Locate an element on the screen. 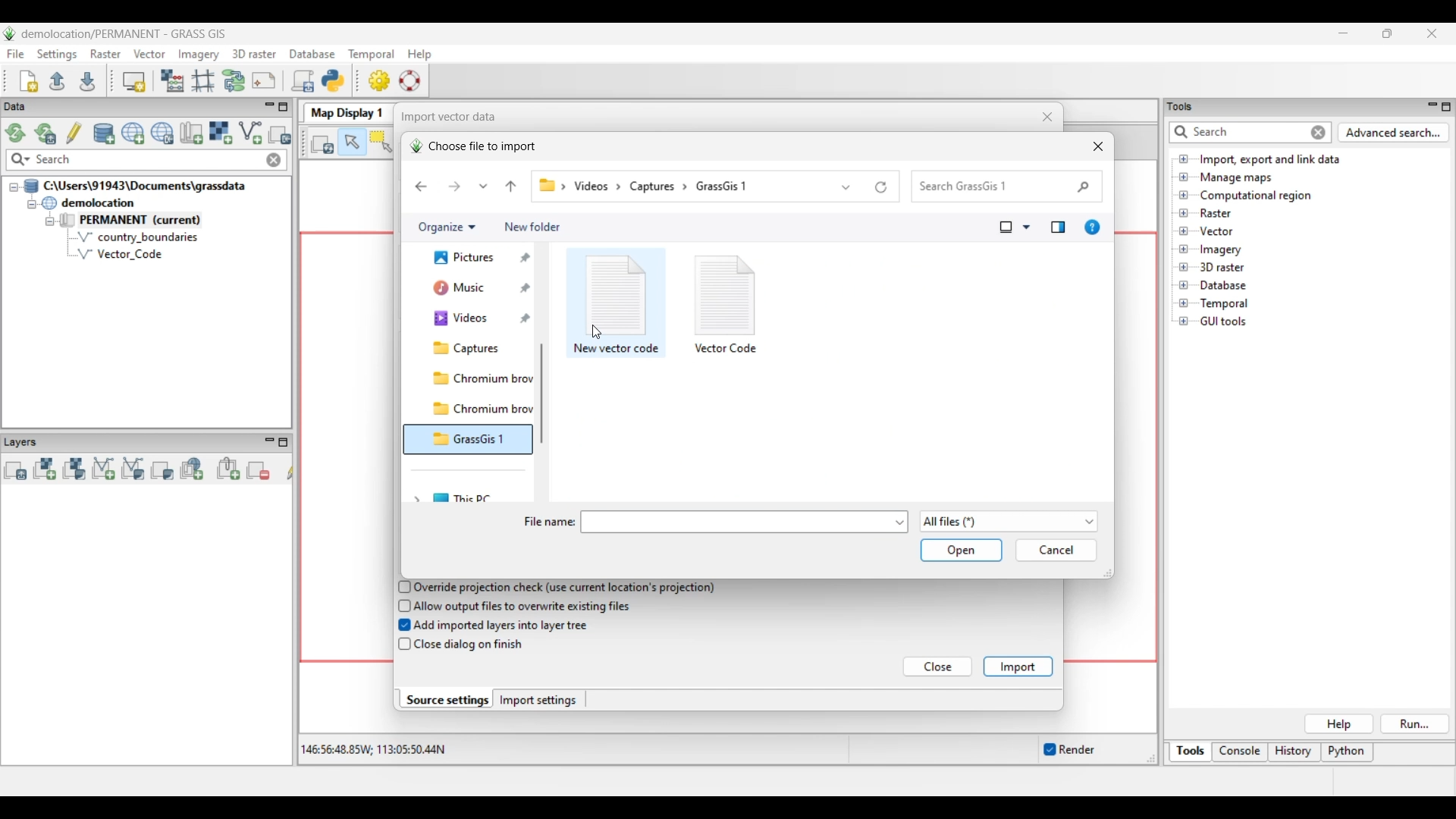 The image size is (1456, 819). Minimize is located at coordinates (1343, 33).